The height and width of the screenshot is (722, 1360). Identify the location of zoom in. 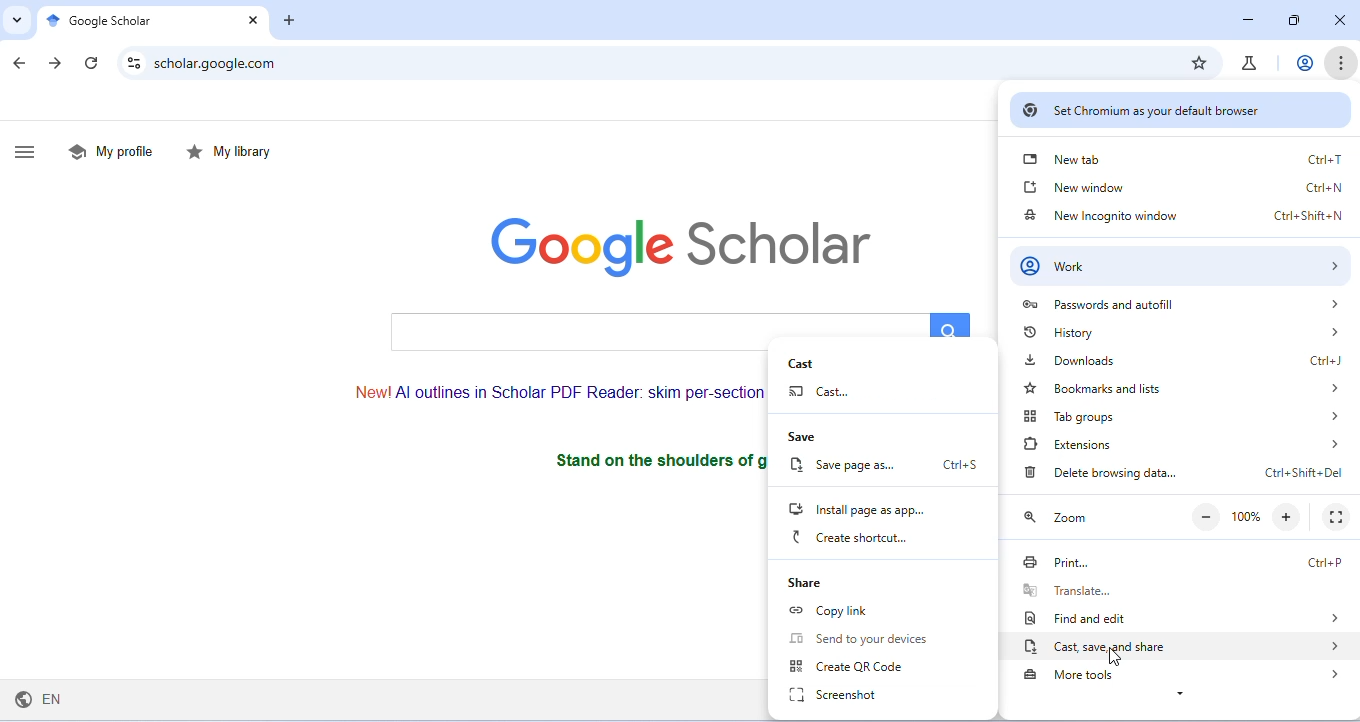
(1288, 516).